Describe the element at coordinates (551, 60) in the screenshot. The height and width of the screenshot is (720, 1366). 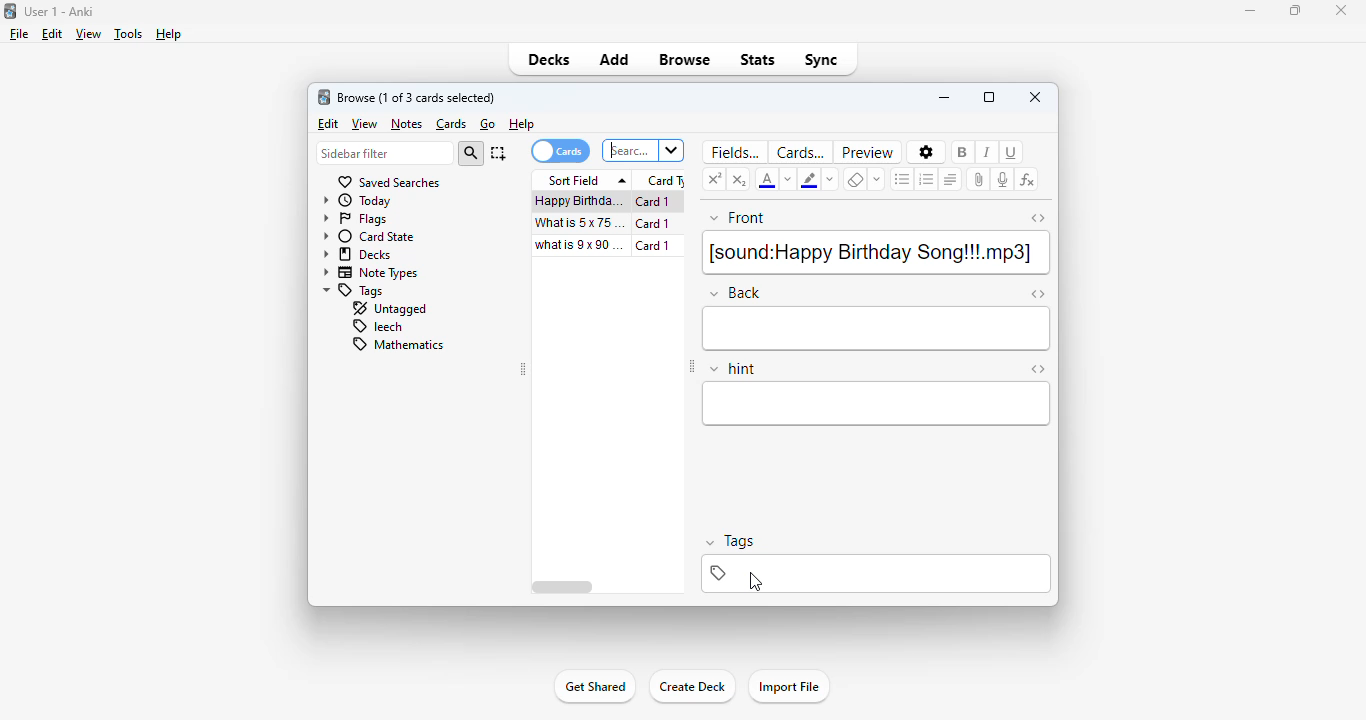
I see `decks` at that location.